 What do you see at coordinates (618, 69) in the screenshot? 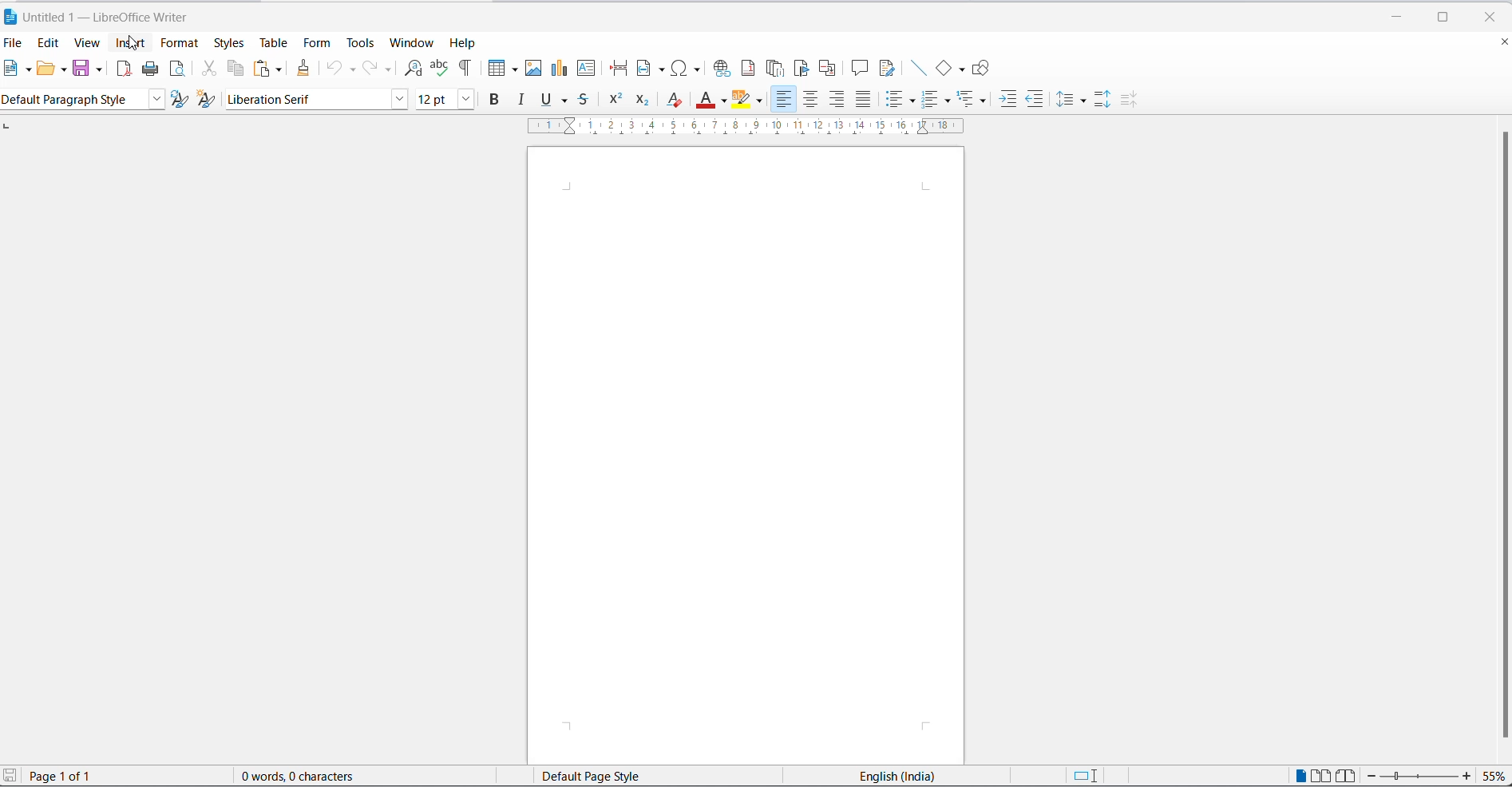
I see `page break` at bounding box center [618, 69].